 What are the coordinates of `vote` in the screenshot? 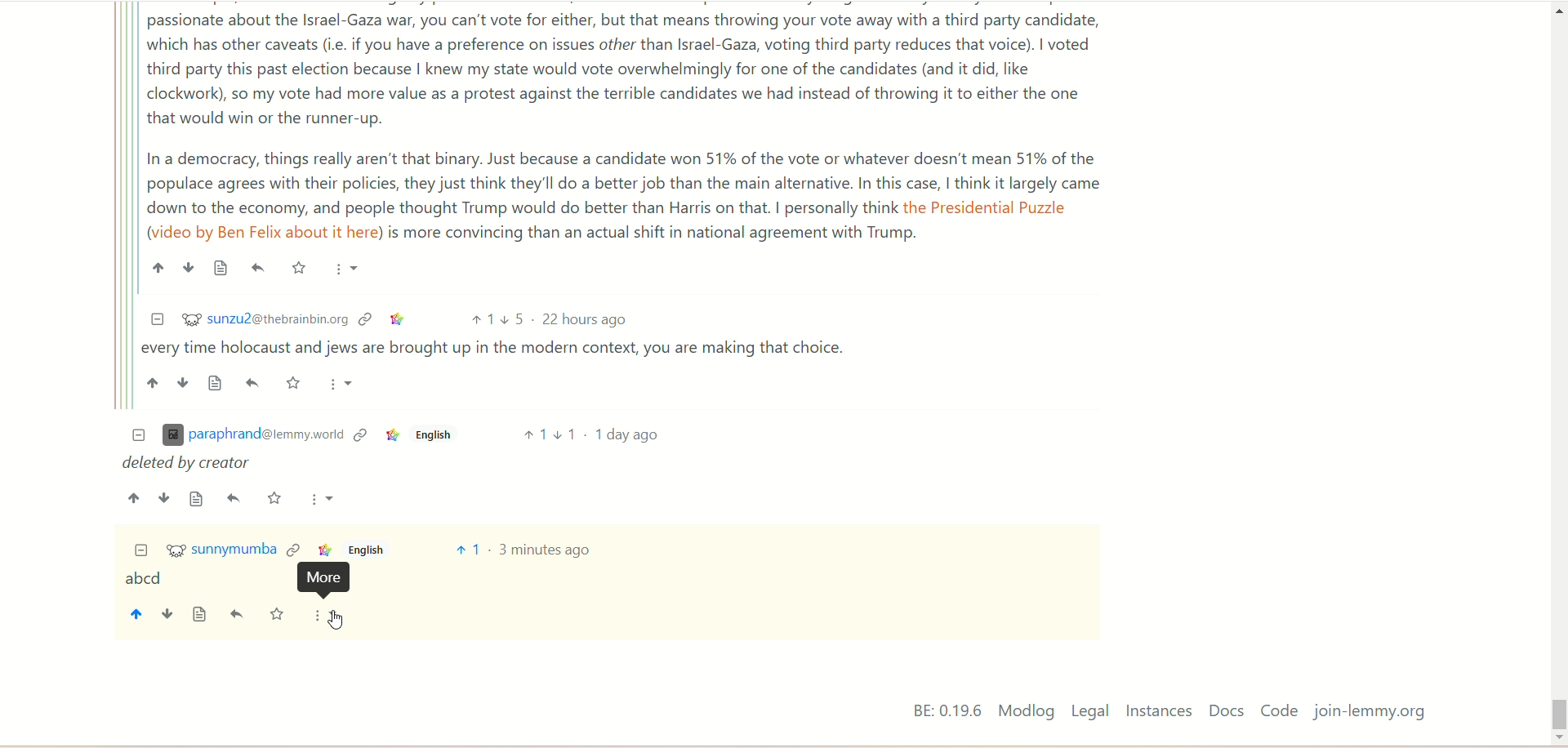 It's located at (467, 550).